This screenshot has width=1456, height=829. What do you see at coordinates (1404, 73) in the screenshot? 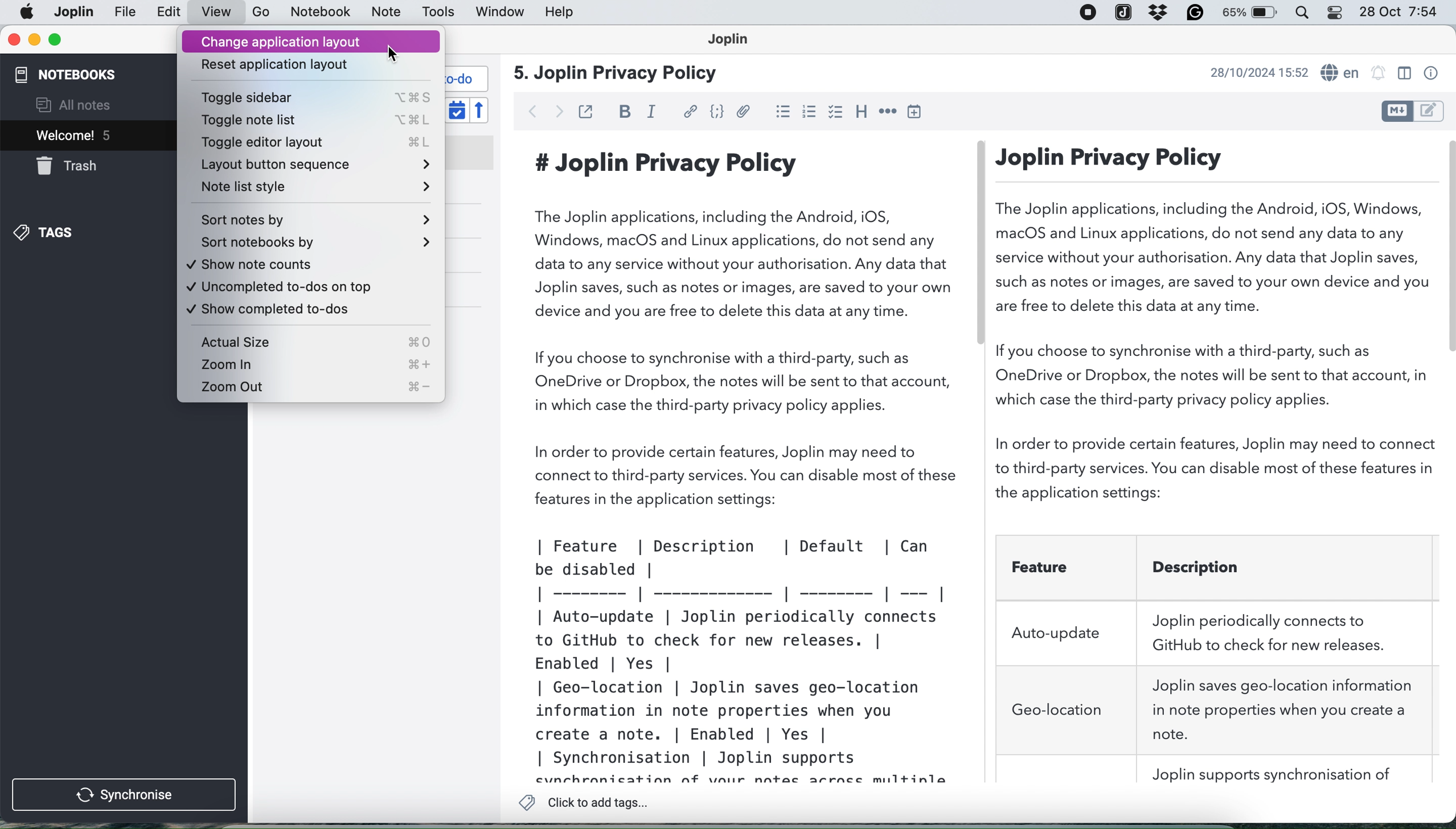
I see `toggle editor layout` at bounding box center [1404, 73].